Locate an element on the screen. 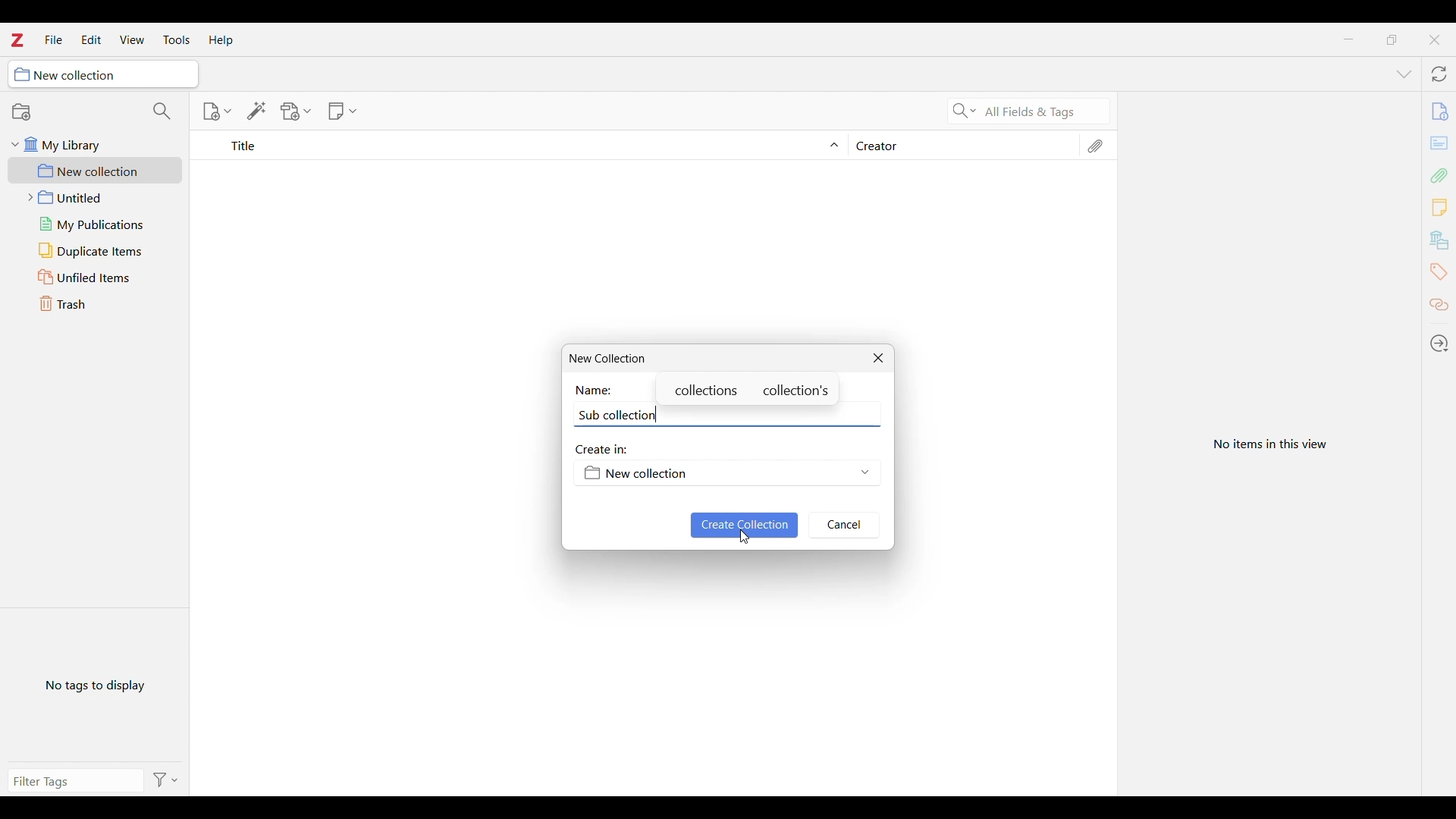 This screenshot has height=819, width=1456. Type filter tag is located at coordinates (65, 781).